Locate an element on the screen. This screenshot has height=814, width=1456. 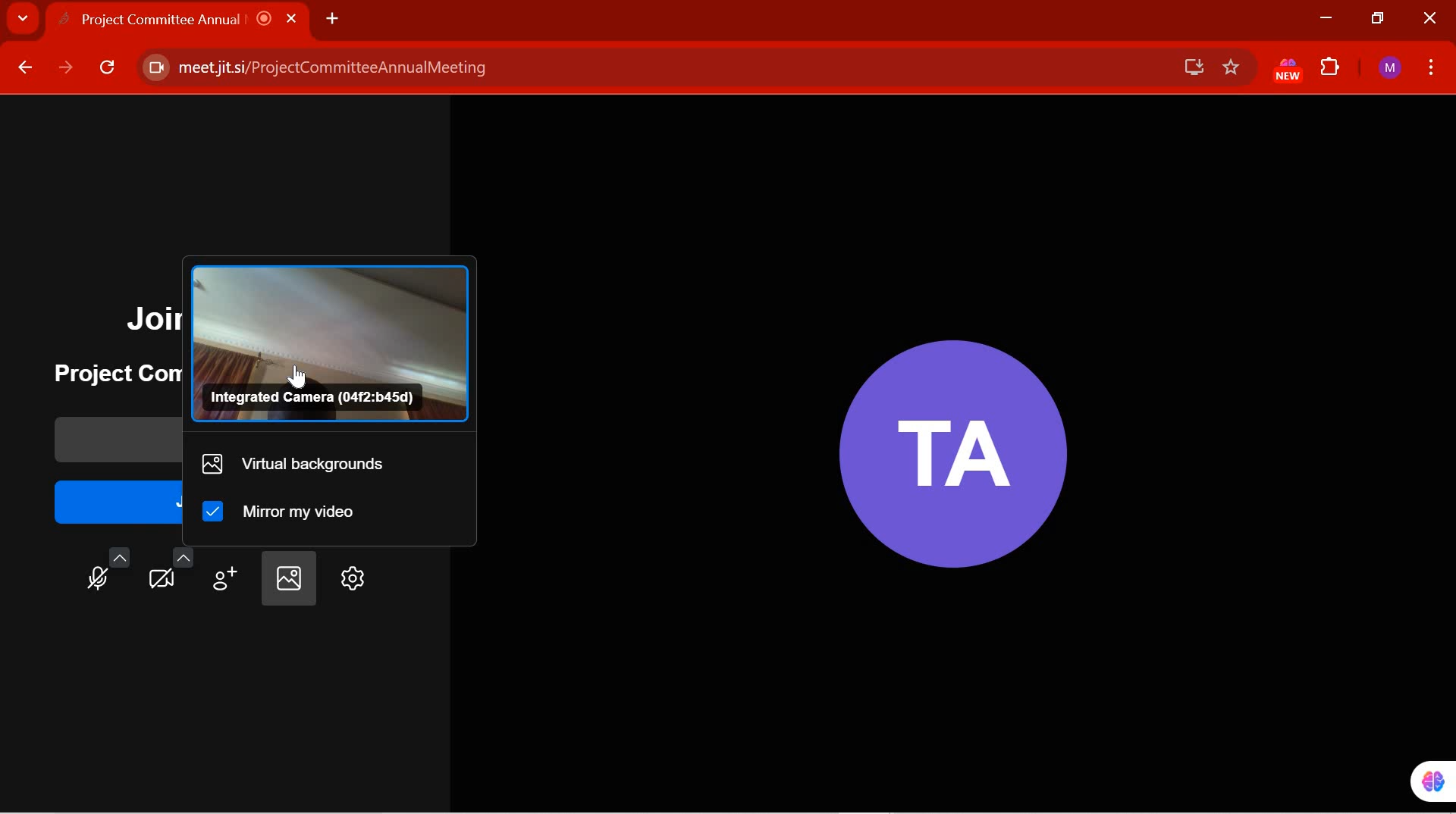
virtual backgrounds is located at coordinates (300, 461).